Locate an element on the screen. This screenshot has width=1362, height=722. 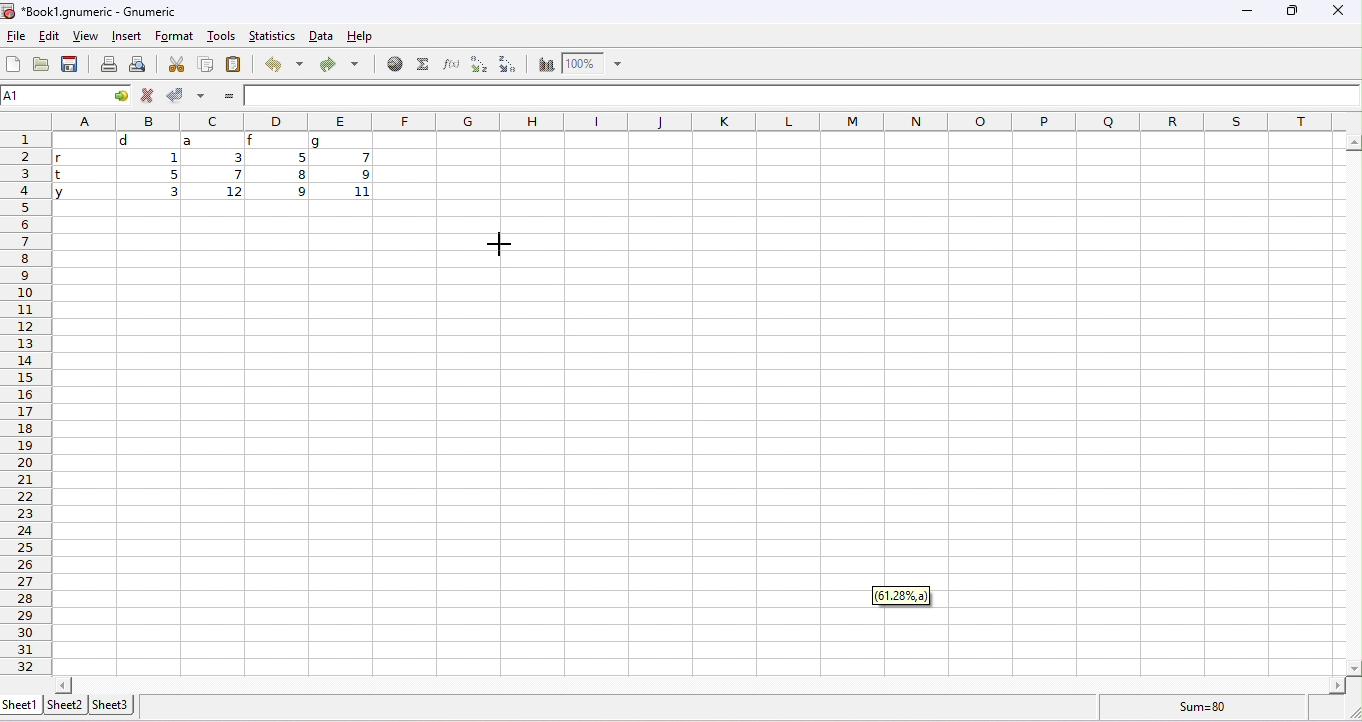
61.28% is located at coordinates (903, 597).